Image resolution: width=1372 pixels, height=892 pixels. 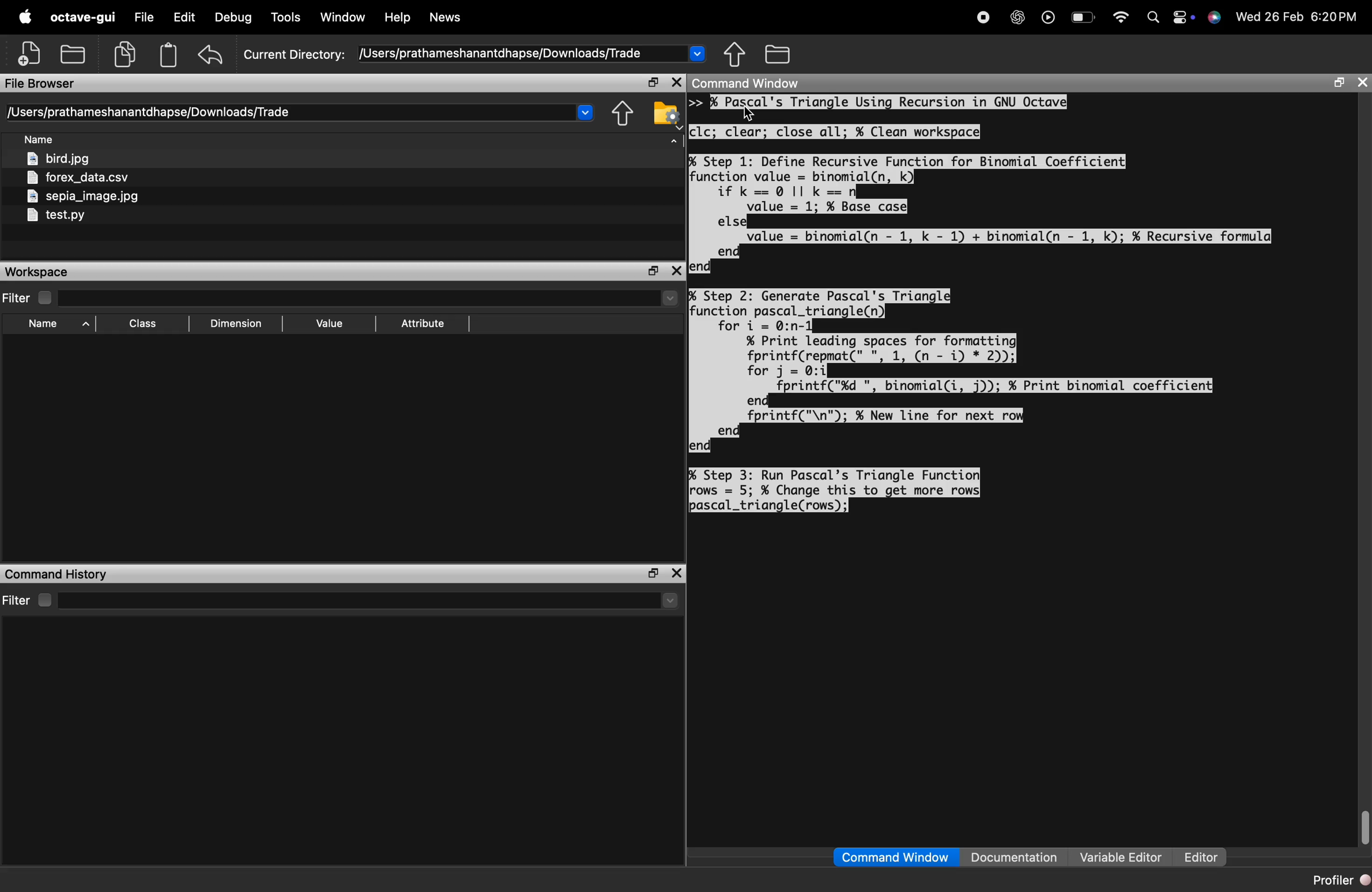 What do you see at coordinates (1201, 857) in the screenshot?
I see `Editor` at bounding box center [1201, 857].